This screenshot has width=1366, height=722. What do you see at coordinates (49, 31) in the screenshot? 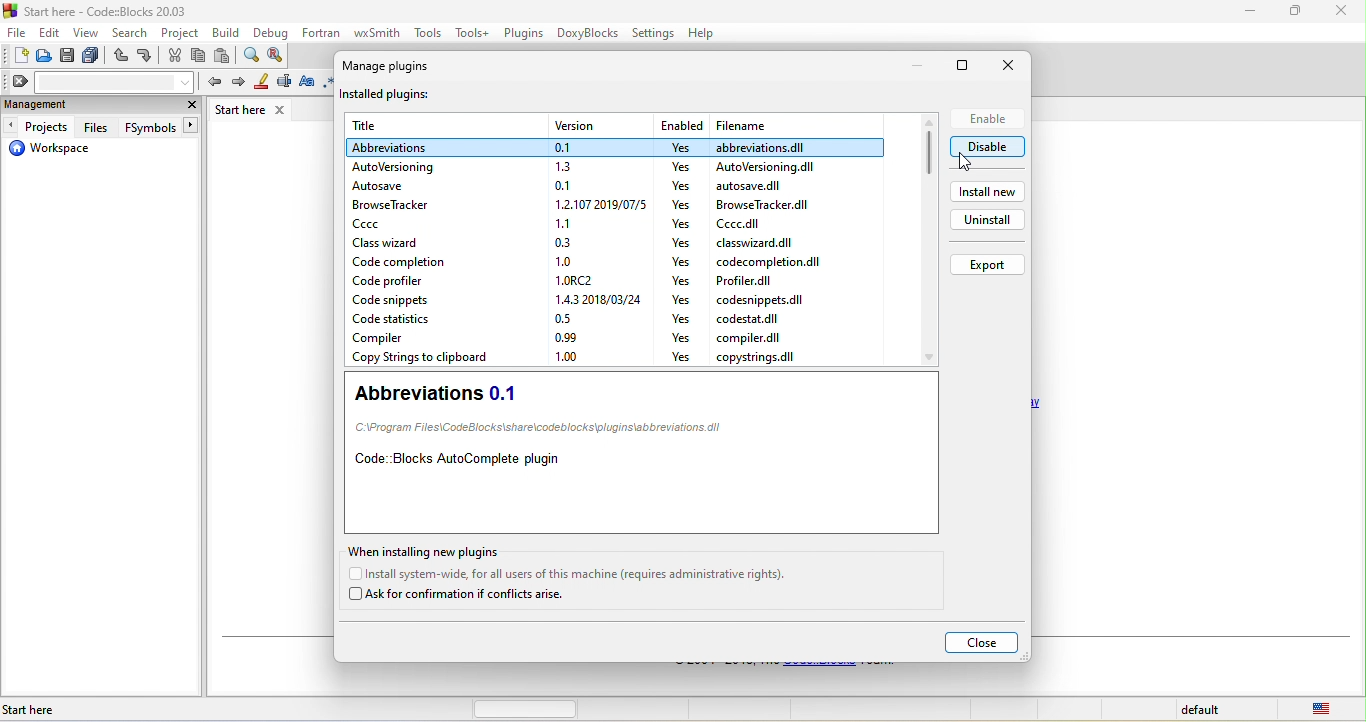
I see `edit` at bounding box center [49, 31].